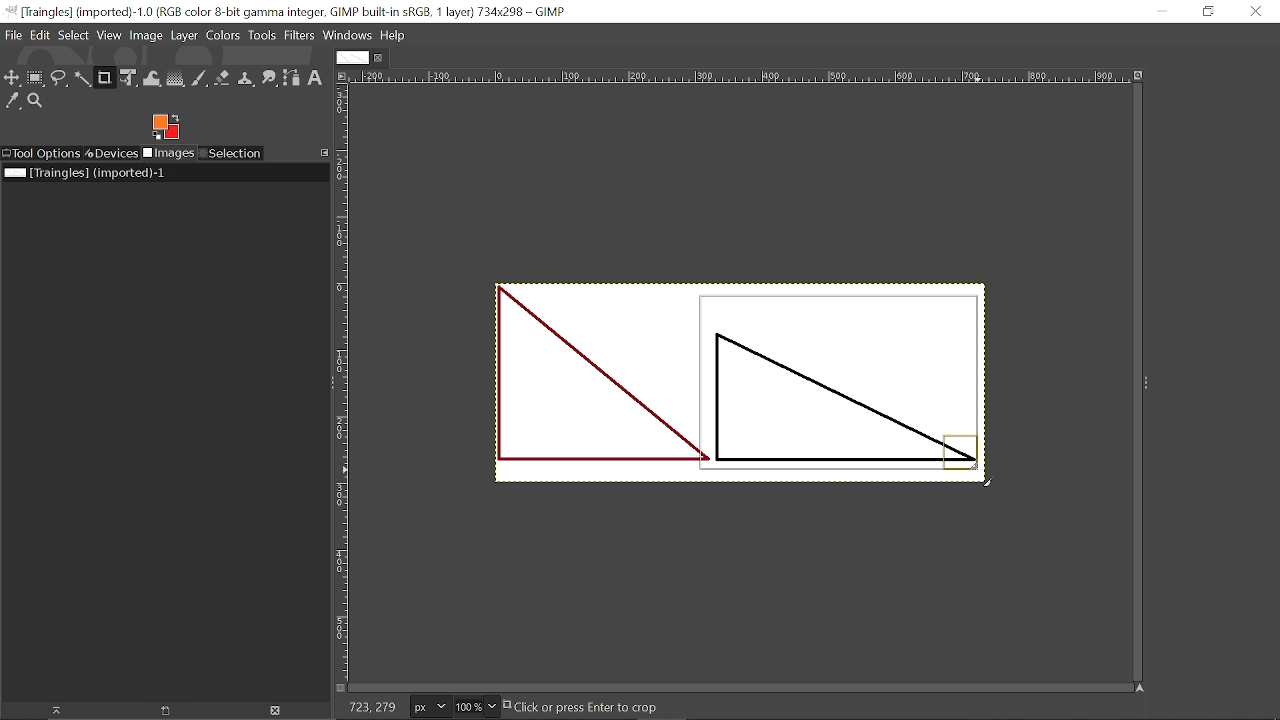 This screenshot has height=720, width=1280. I want to click on View, so click(109, 36).